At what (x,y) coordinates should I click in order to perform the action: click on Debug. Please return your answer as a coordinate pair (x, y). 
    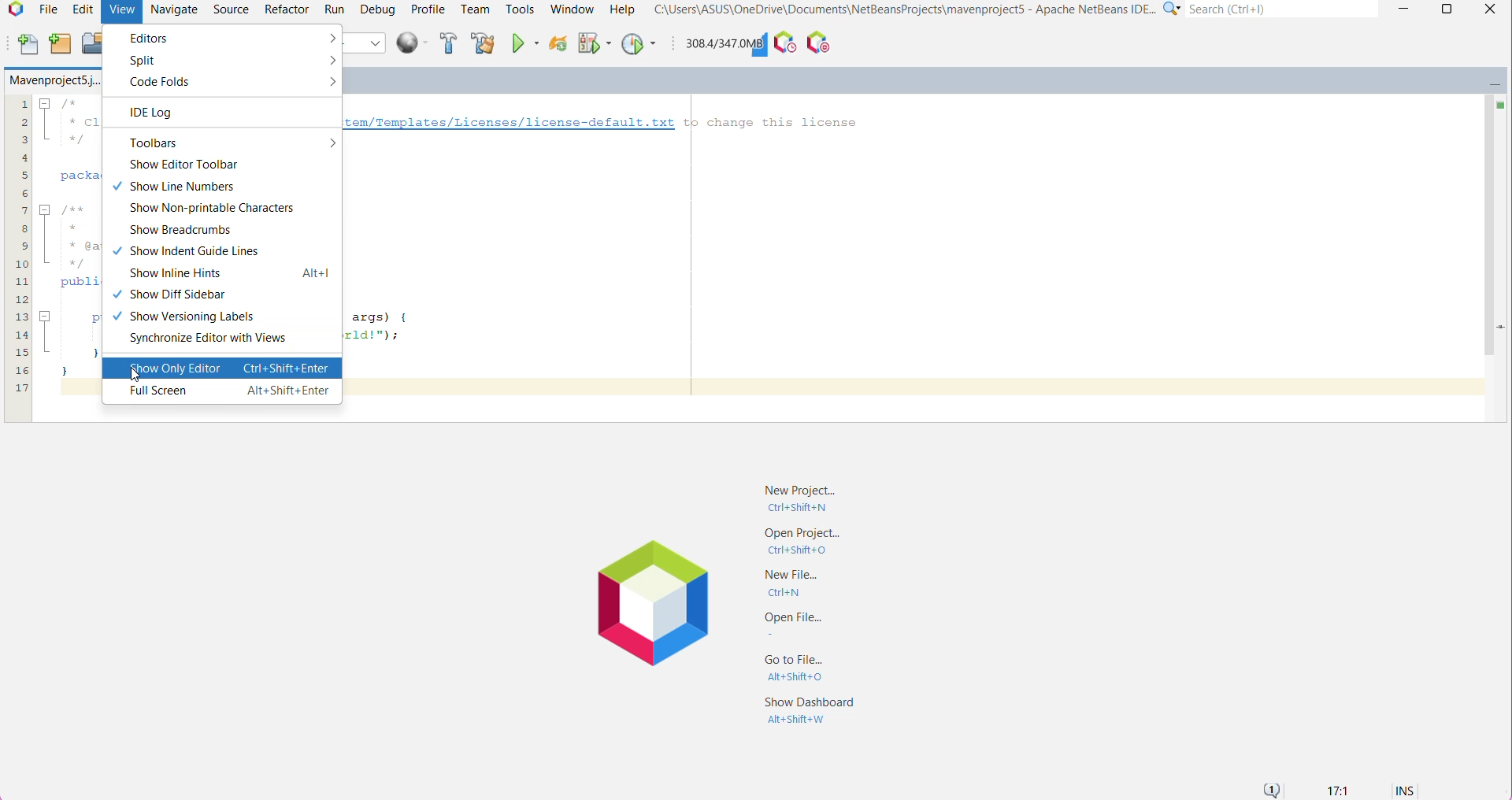
    Looking at the image, I should click on (378, 9).